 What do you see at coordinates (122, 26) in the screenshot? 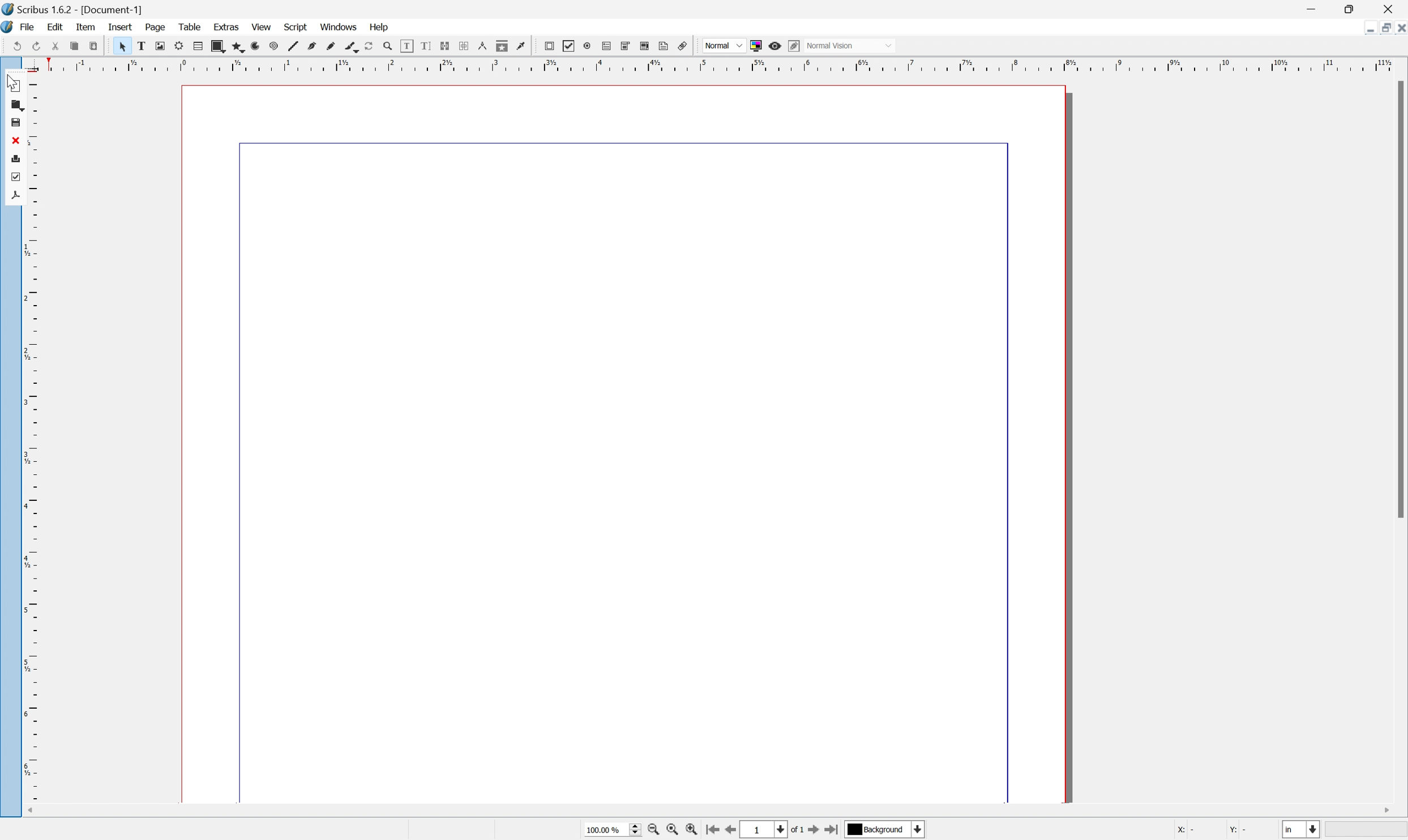
I see `insert` at bounding box center [122, 26].